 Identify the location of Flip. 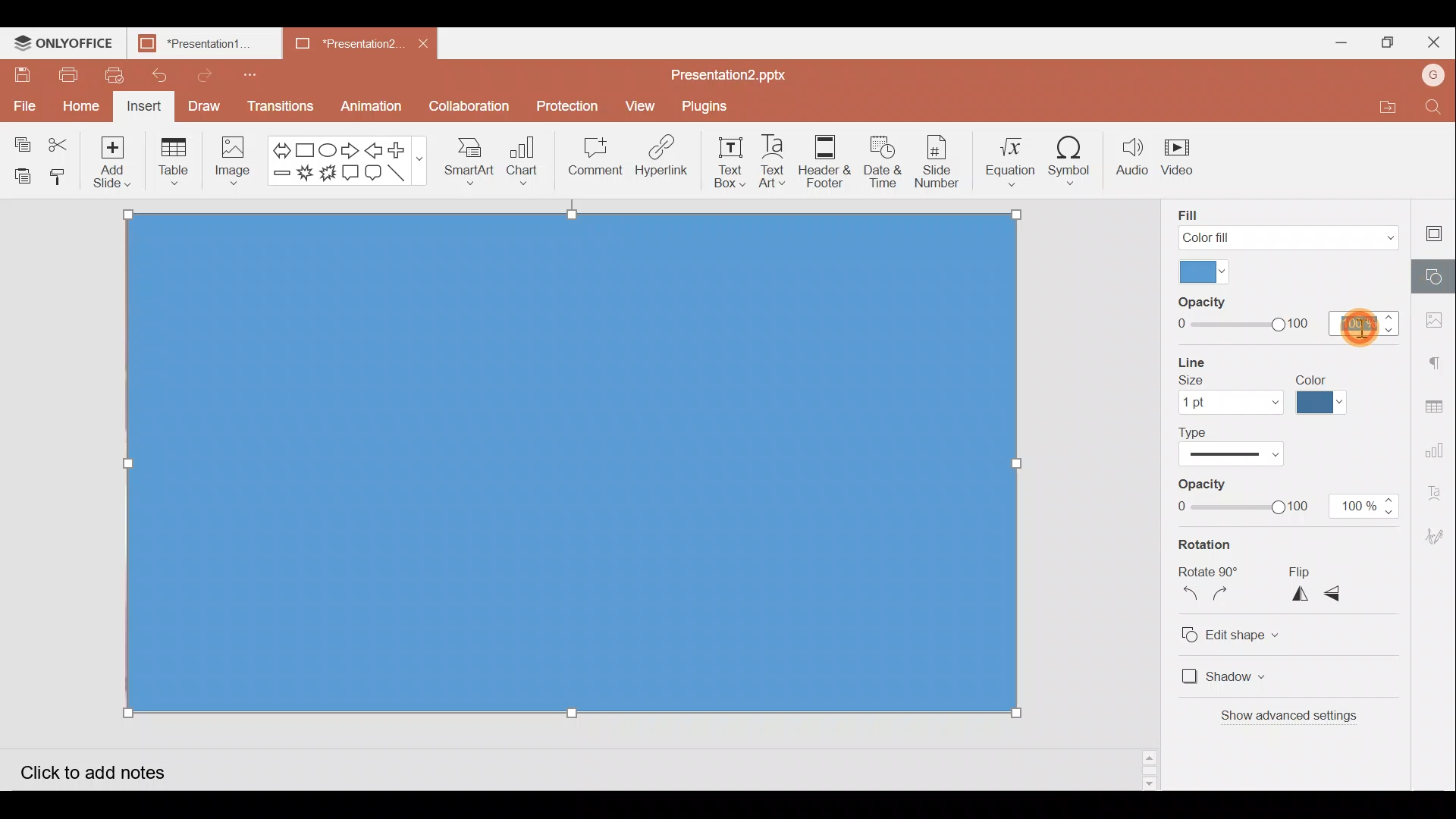
(1320, 570).